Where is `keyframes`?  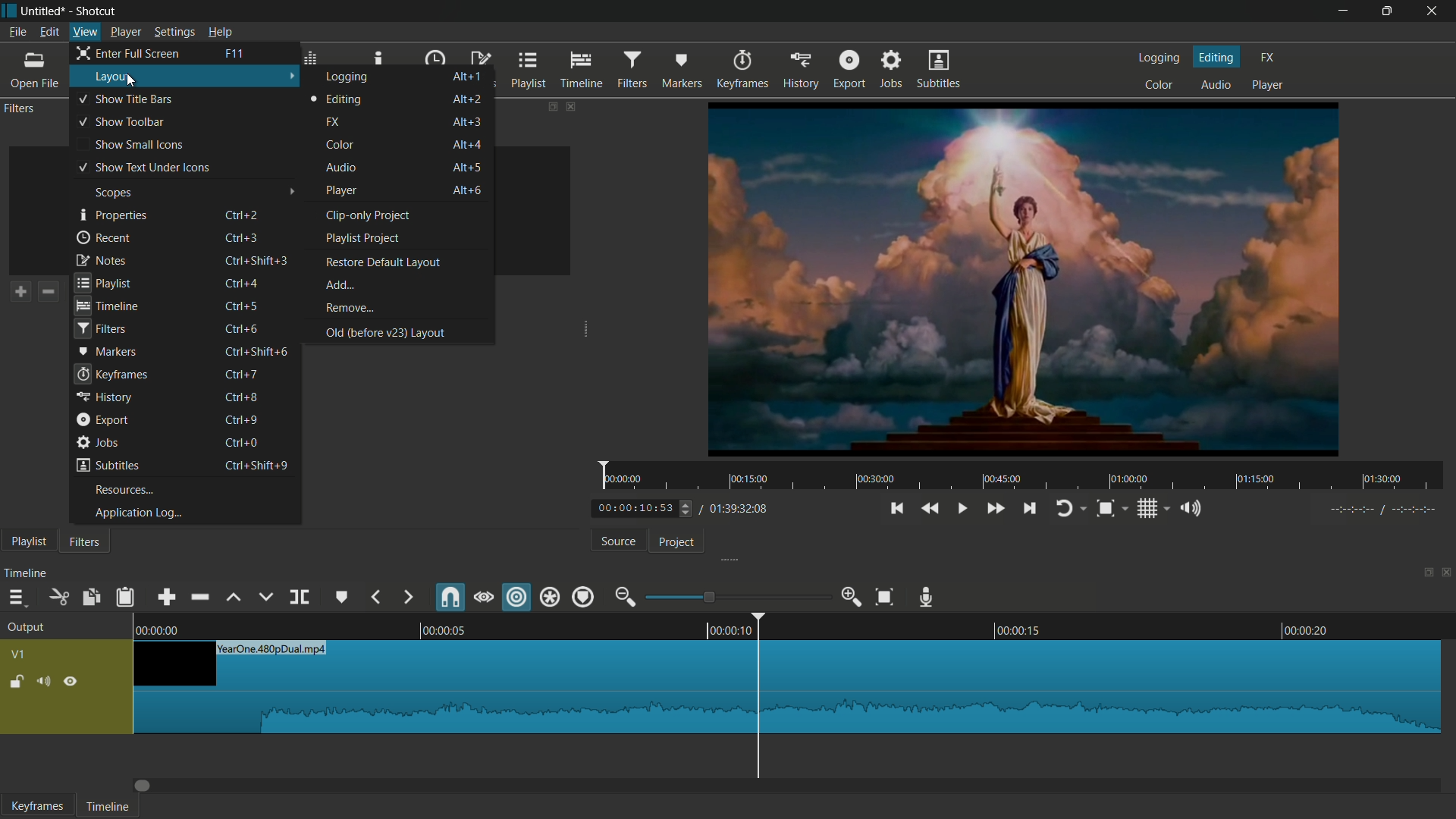 keyframes is located at coordinates (745, 70).